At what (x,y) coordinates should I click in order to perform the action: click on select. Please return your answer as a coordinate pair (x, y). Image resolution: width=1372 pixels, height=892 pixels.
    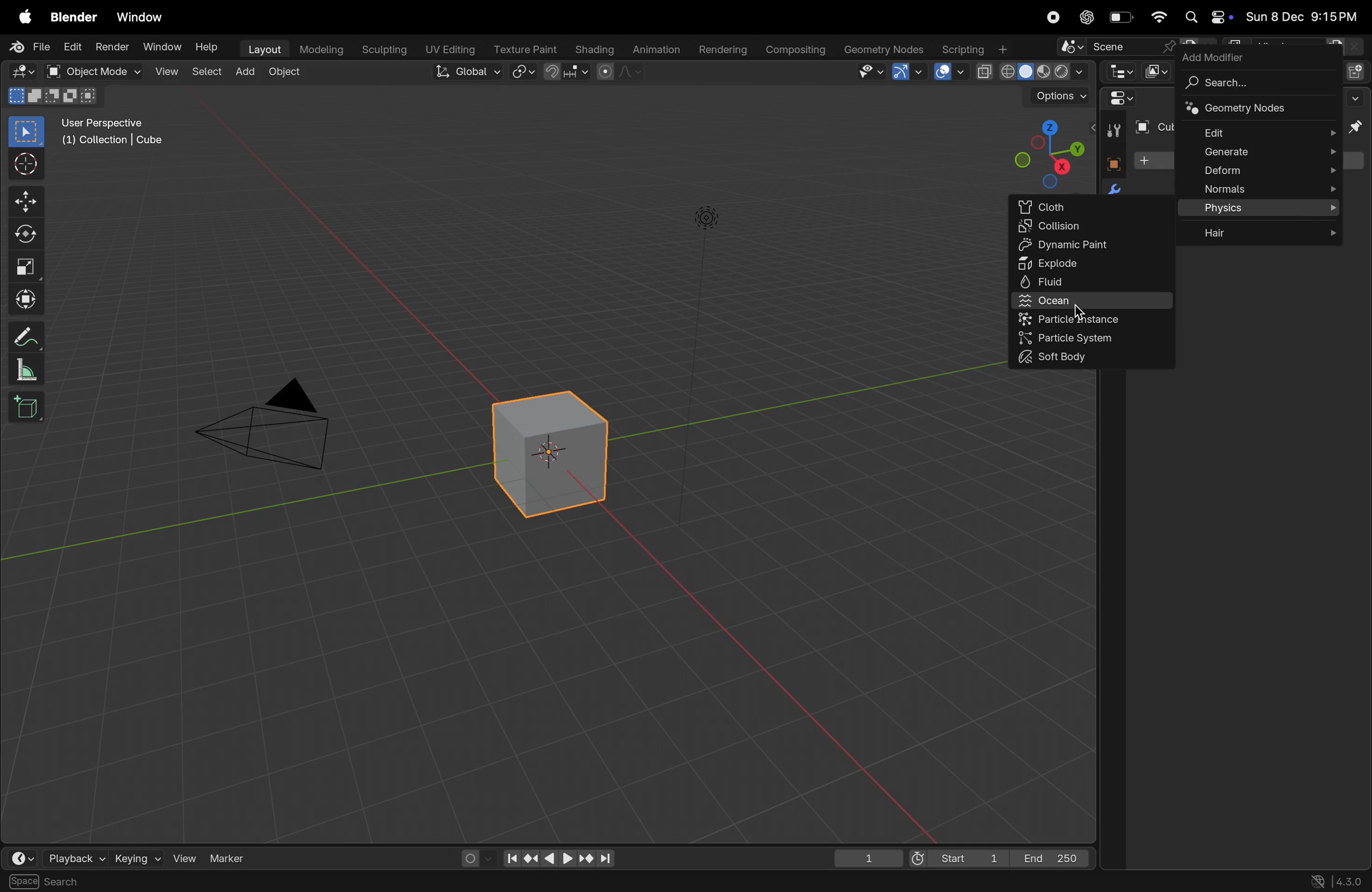
    Looking at the image, I should click on (209, 71).